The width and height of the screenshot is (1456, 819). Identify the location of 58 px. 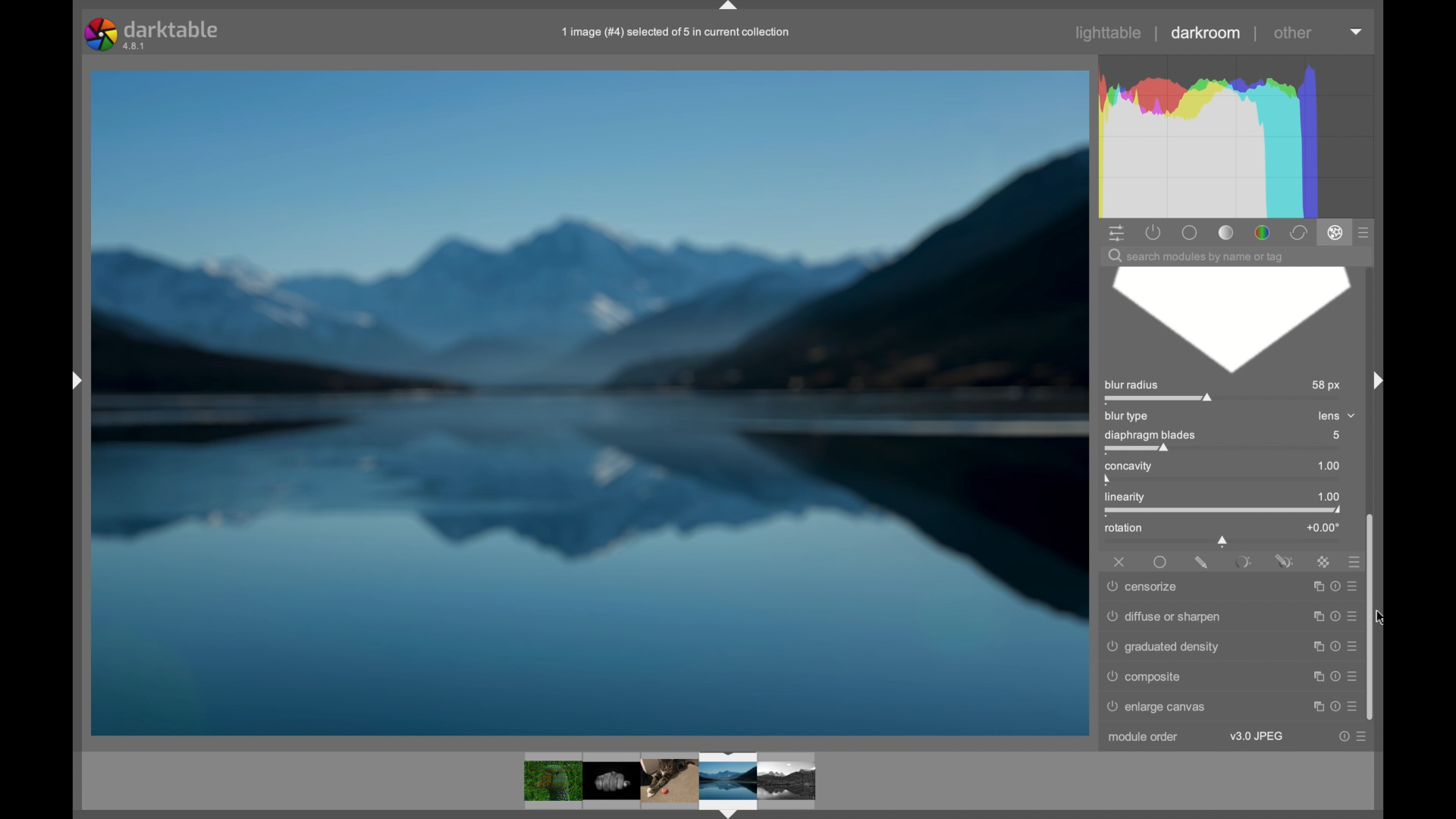
(1327, 386).